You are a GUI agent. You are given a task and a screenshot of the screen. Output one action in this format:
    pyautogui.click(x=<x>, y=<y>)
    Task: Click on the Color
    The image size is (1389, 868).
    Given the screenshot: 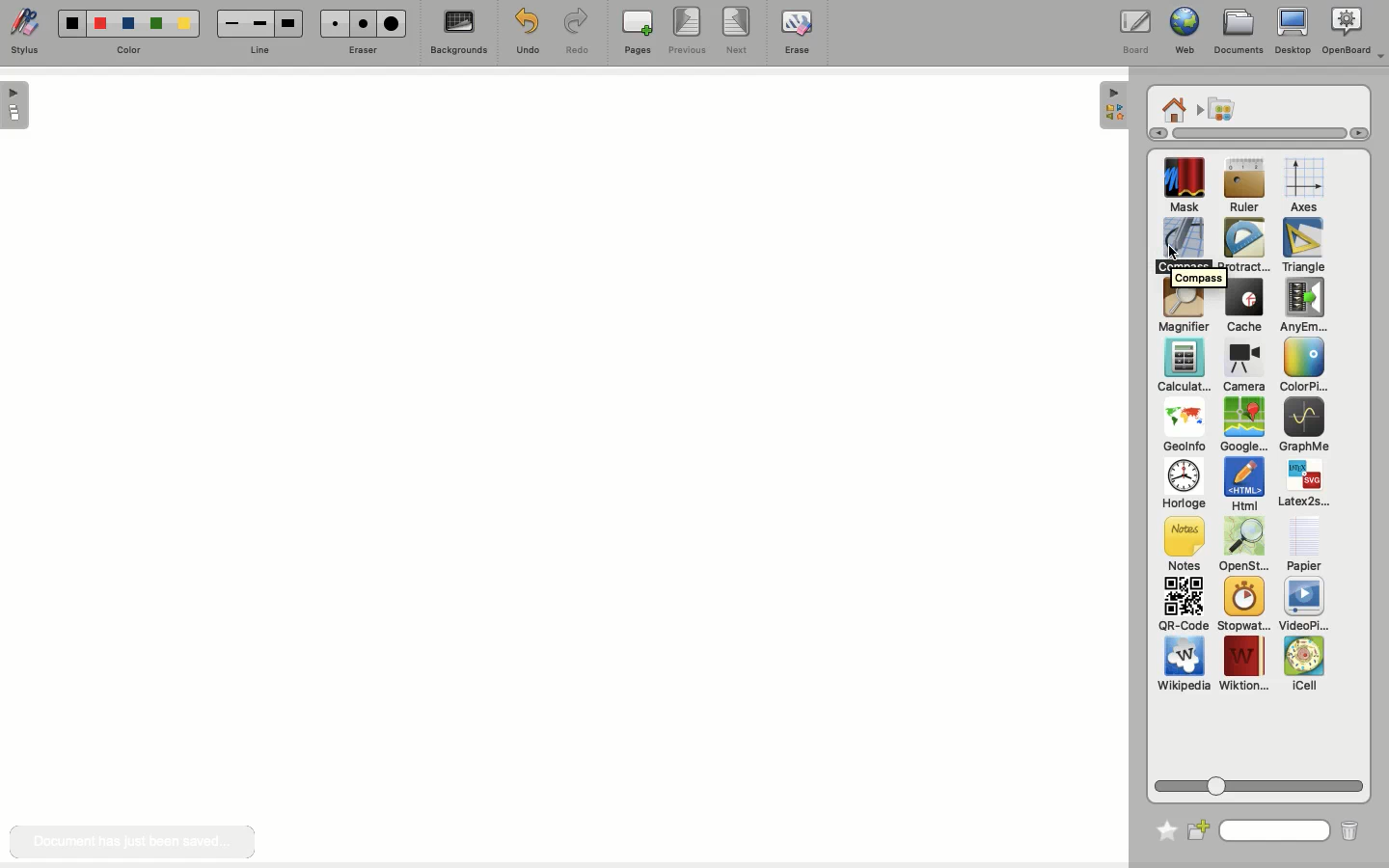 What is the action you would take?
    pyautogui.click(x=1300, y=366)
    